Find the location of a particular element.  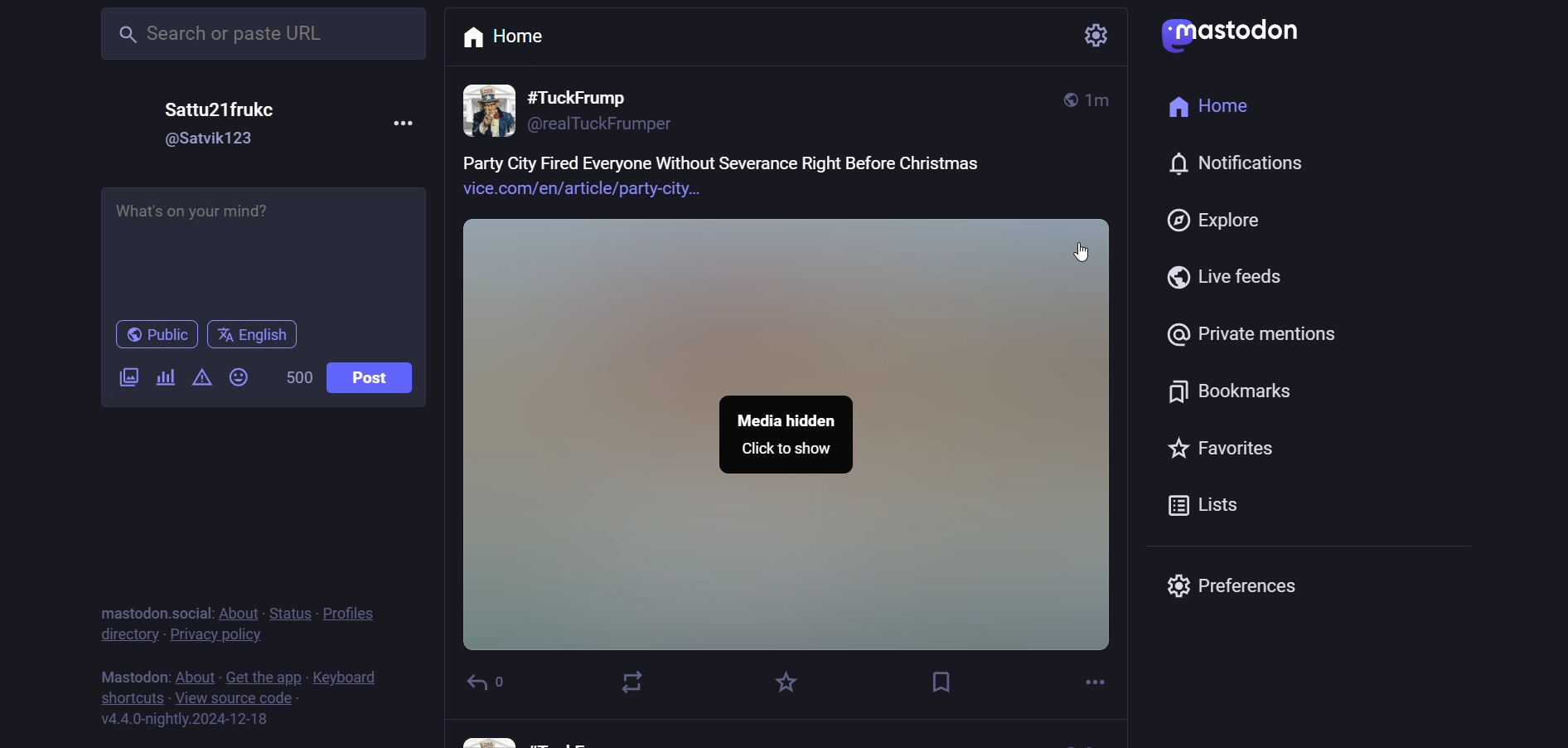

shortucts is located at coordinates (122, 697).